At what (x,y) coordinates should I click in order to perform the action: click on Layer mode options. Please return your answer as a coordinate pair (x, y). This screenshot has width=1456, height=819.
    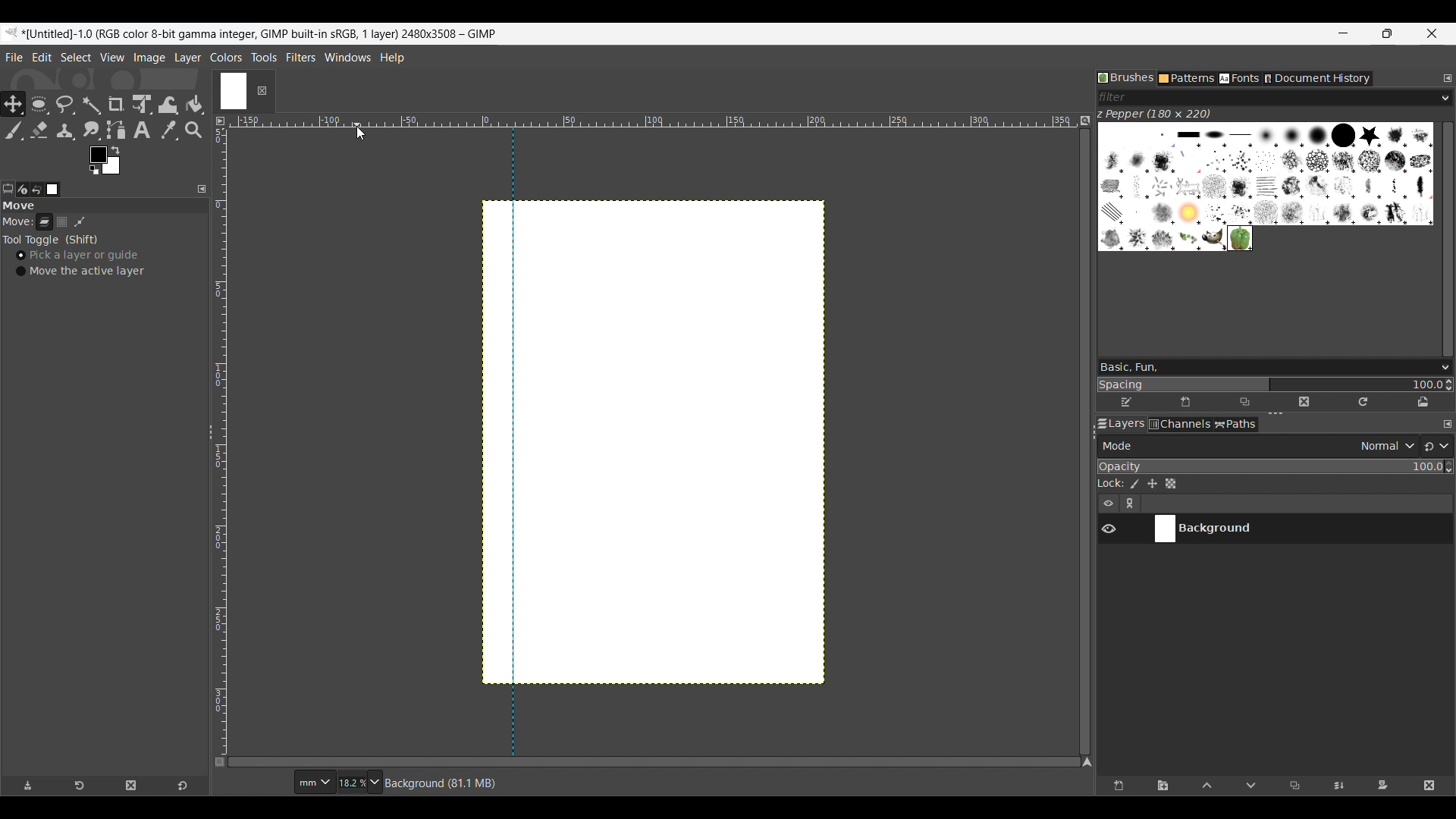
    Looking at the image, I should click on (1257, 446).